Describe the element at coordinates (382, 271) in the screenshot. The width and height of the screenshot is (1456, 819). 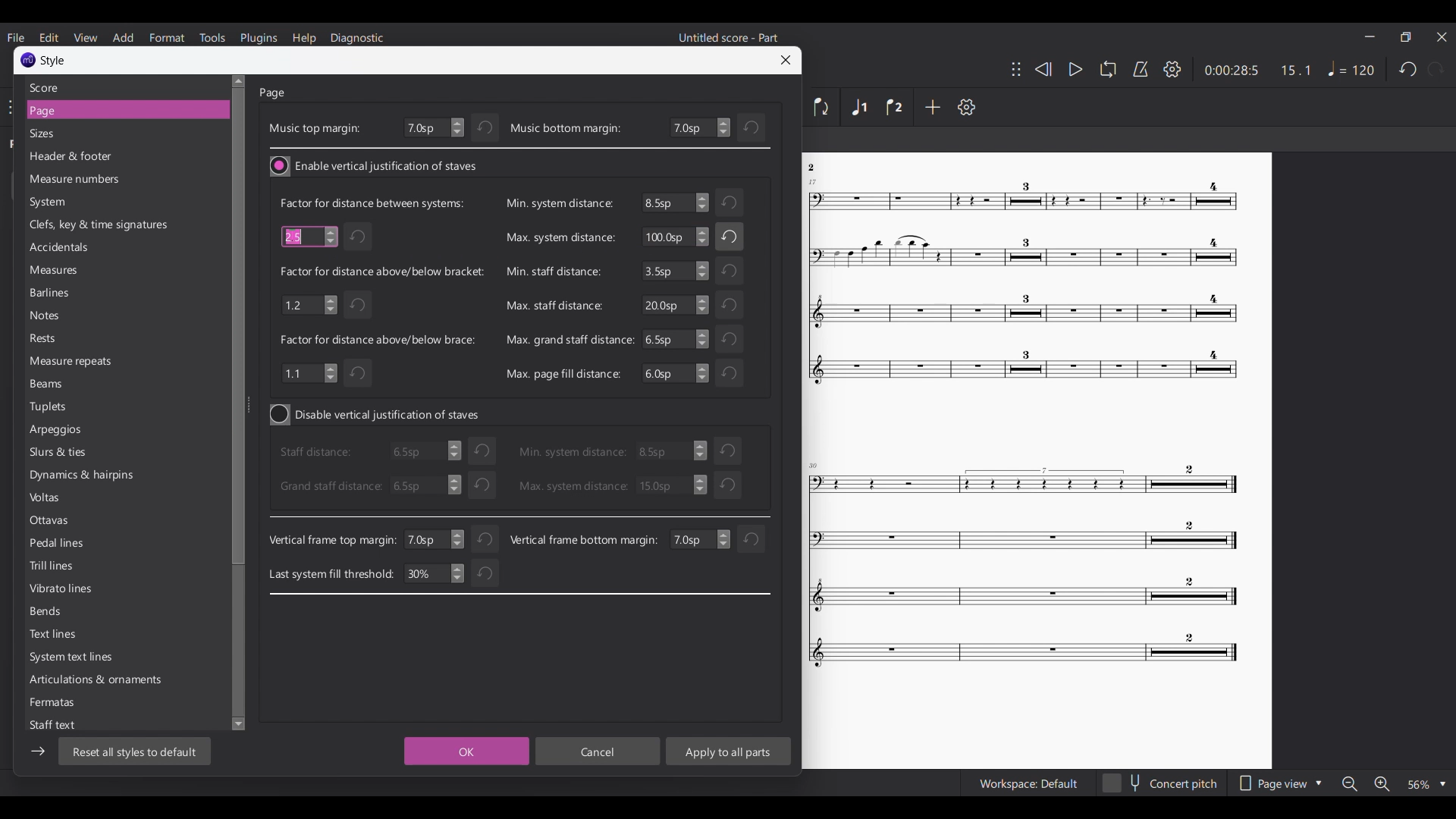
I see `Indicates factor for distance above/below bracket` at that location.